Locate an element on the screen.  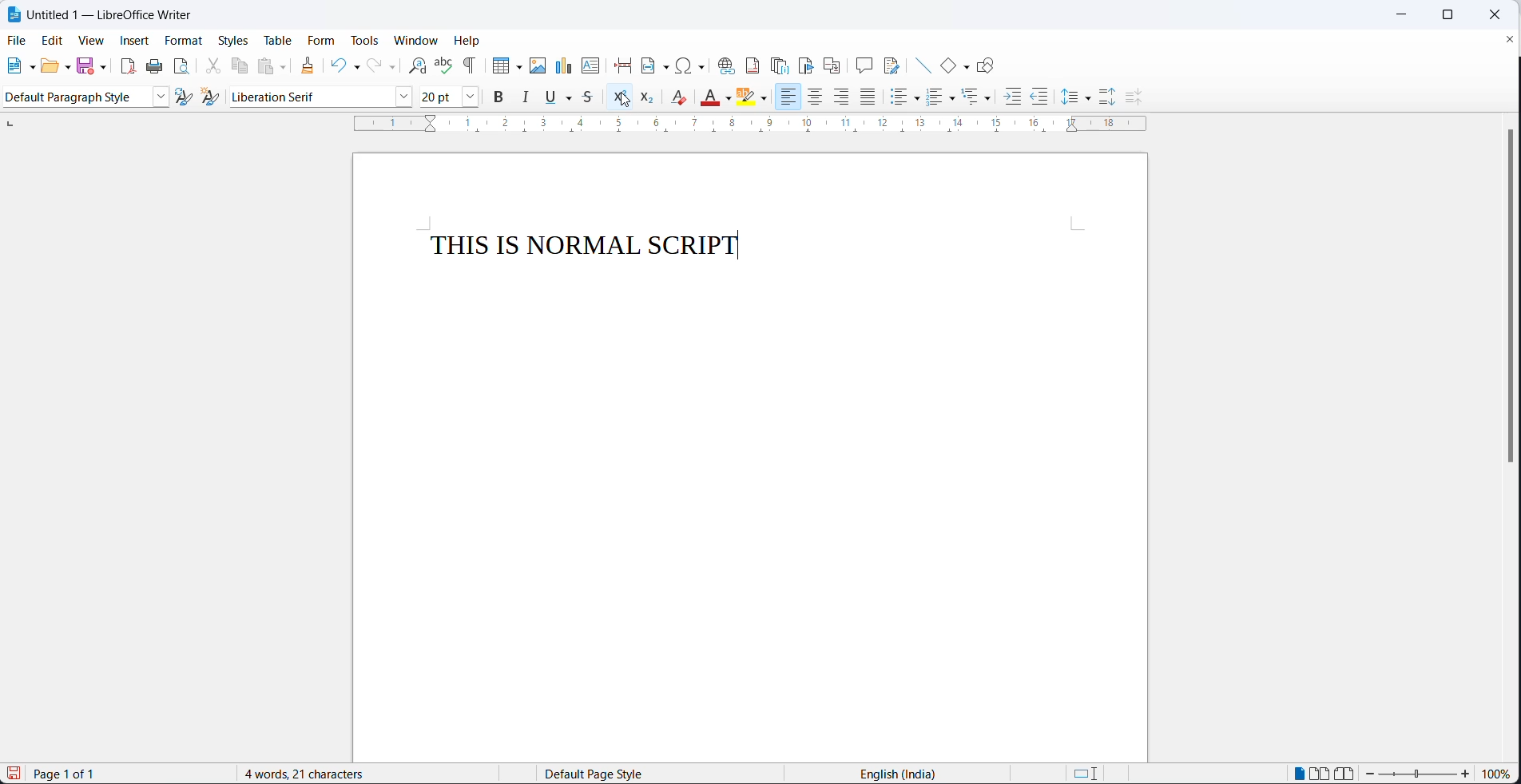
book view is located at coordinates (1348, 773).